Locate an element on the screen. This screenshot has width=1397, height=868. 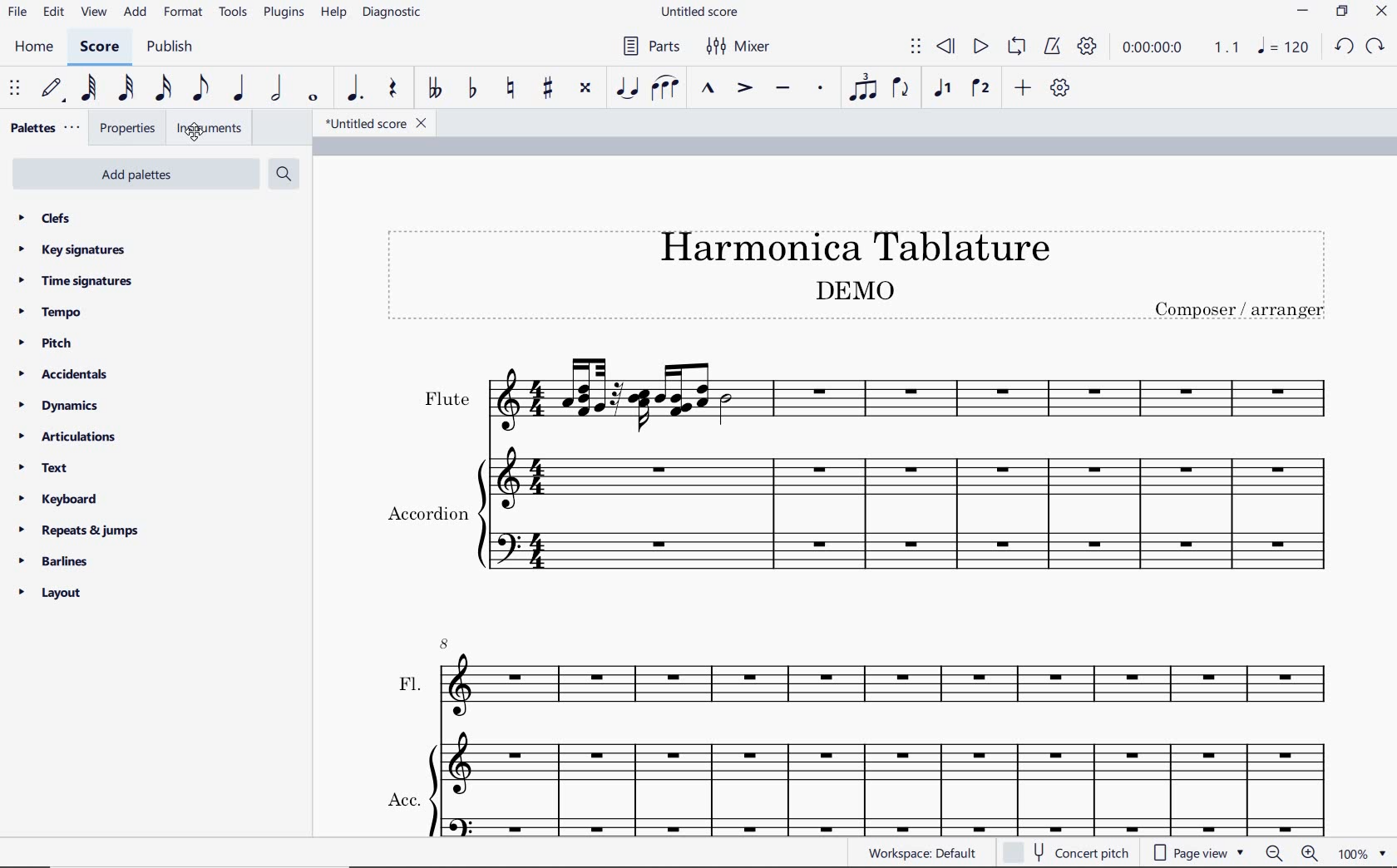
articulations is located at coordinates (67, 440).